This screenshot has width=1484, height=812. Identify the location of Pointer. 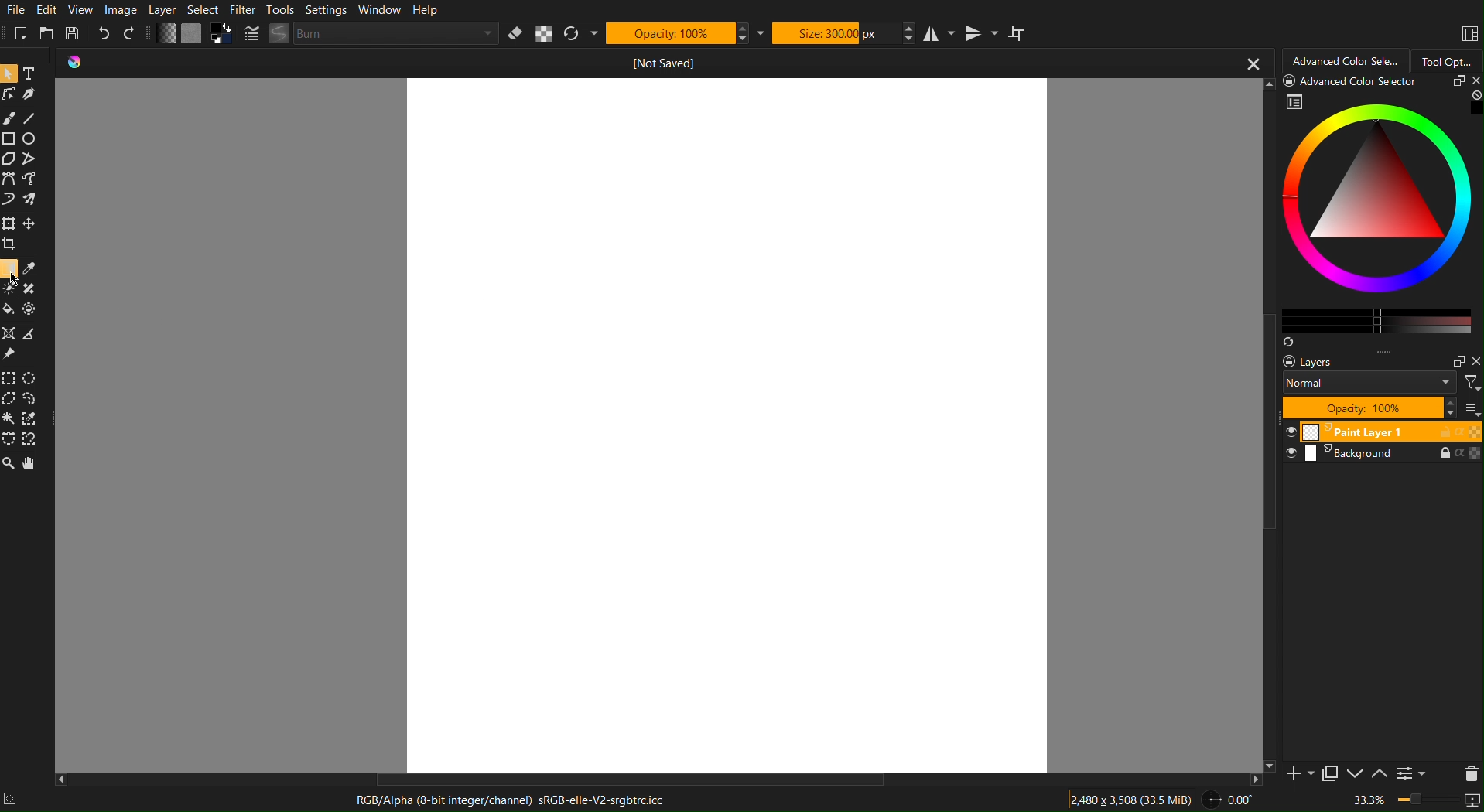
(11, 73).